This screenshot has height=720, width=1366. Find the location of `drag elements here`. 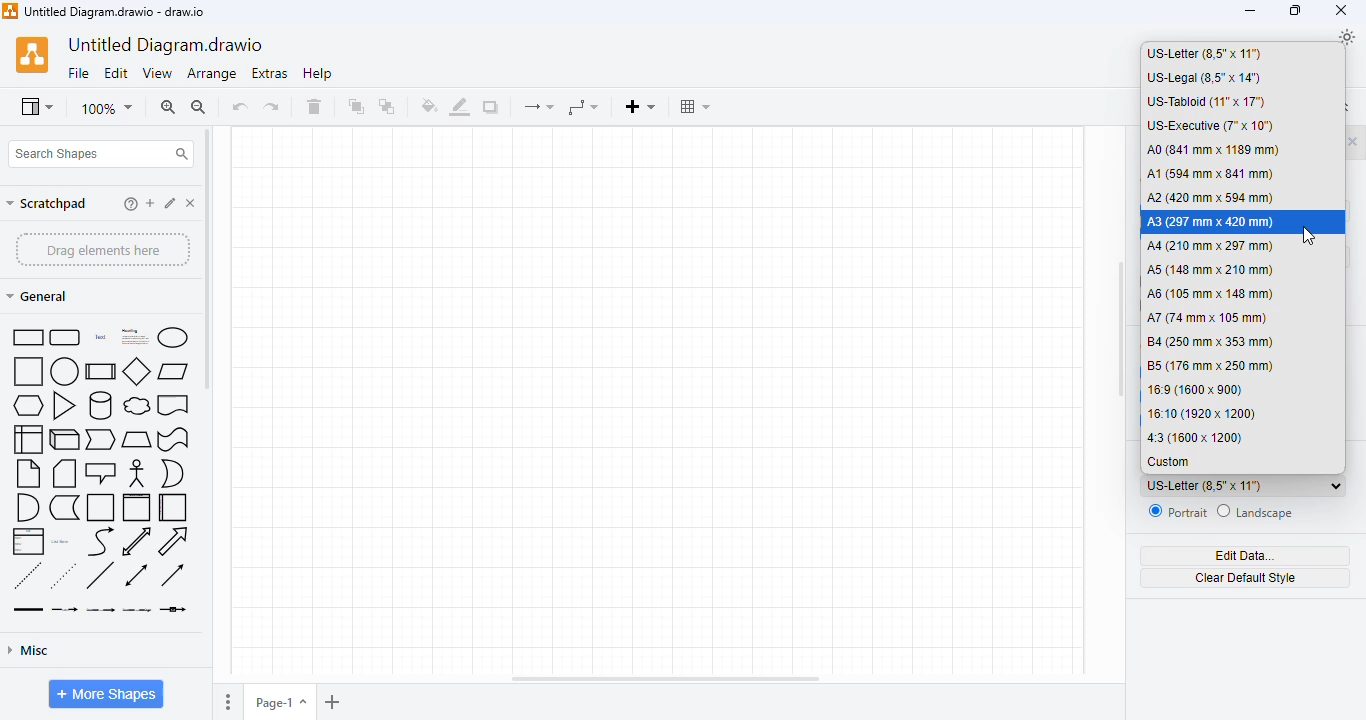

drag elements here is located at coordinates (102, 249).